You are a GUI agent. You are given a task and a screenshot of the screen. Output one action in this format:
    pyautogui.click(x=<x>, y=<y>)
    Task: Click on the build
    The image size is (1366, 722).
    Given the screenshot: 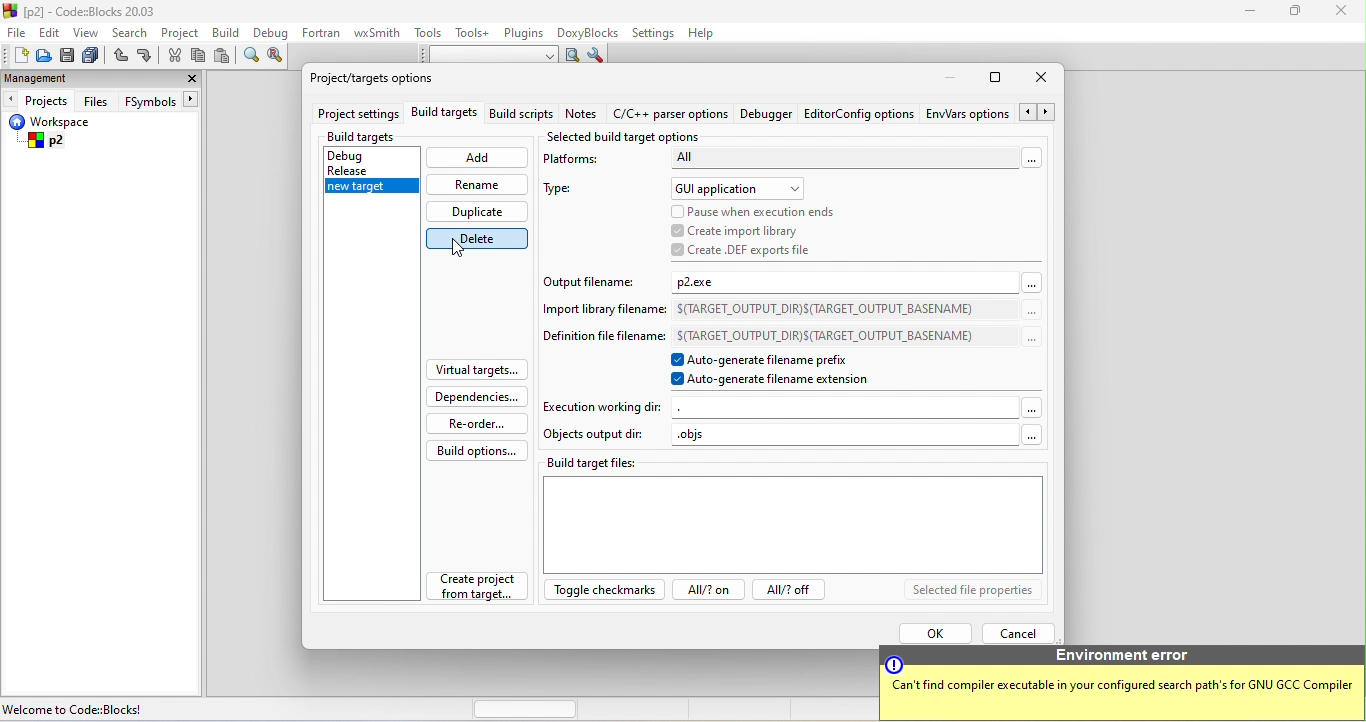 What is the action you would take?
    pyautogui.click(x=228, y=35)
    